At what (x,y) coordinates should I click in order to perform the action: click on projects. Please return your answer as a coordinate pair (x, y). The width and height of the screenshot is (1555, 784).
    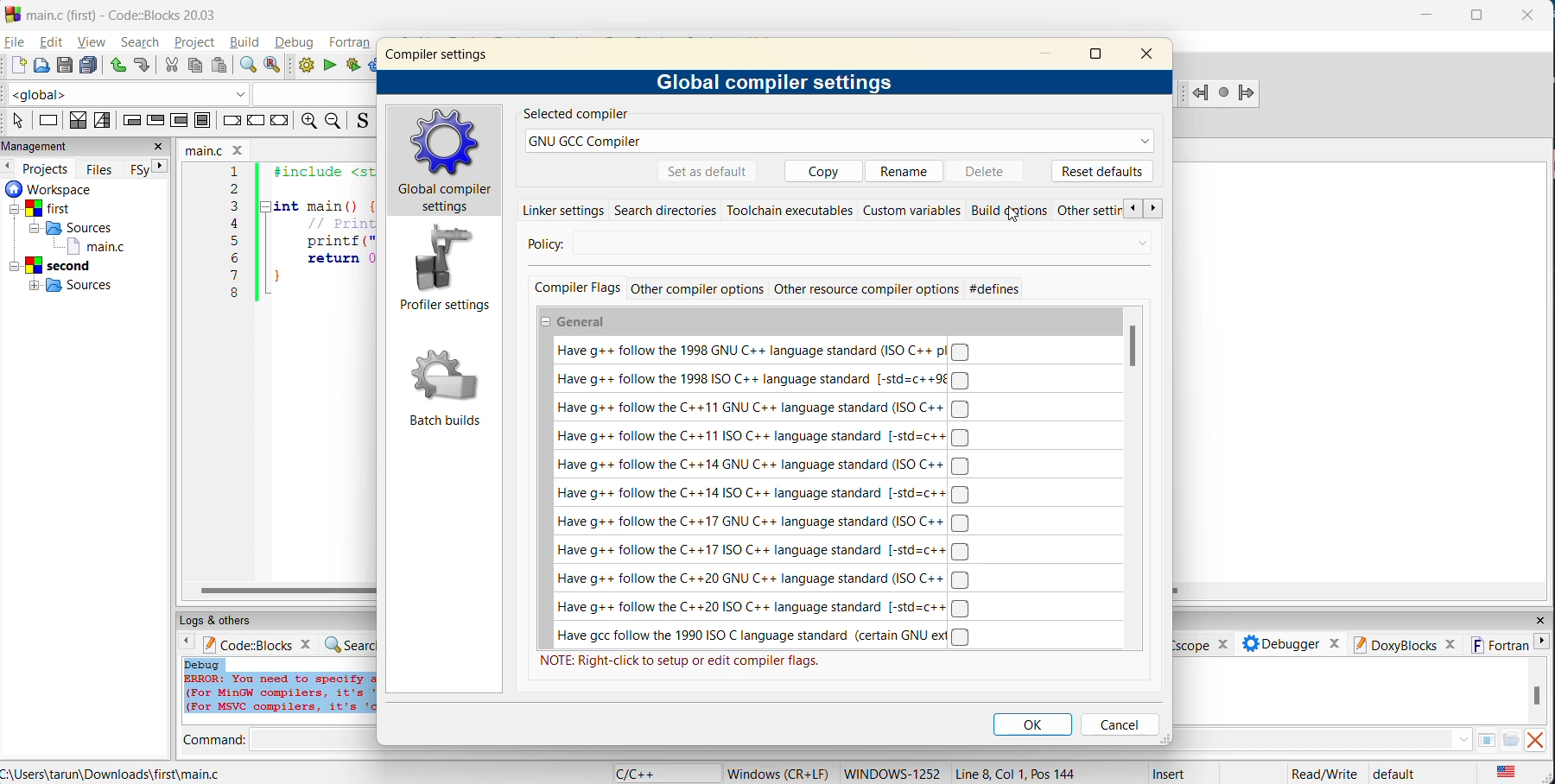
    Looking at the image, I should click on (46, 168).